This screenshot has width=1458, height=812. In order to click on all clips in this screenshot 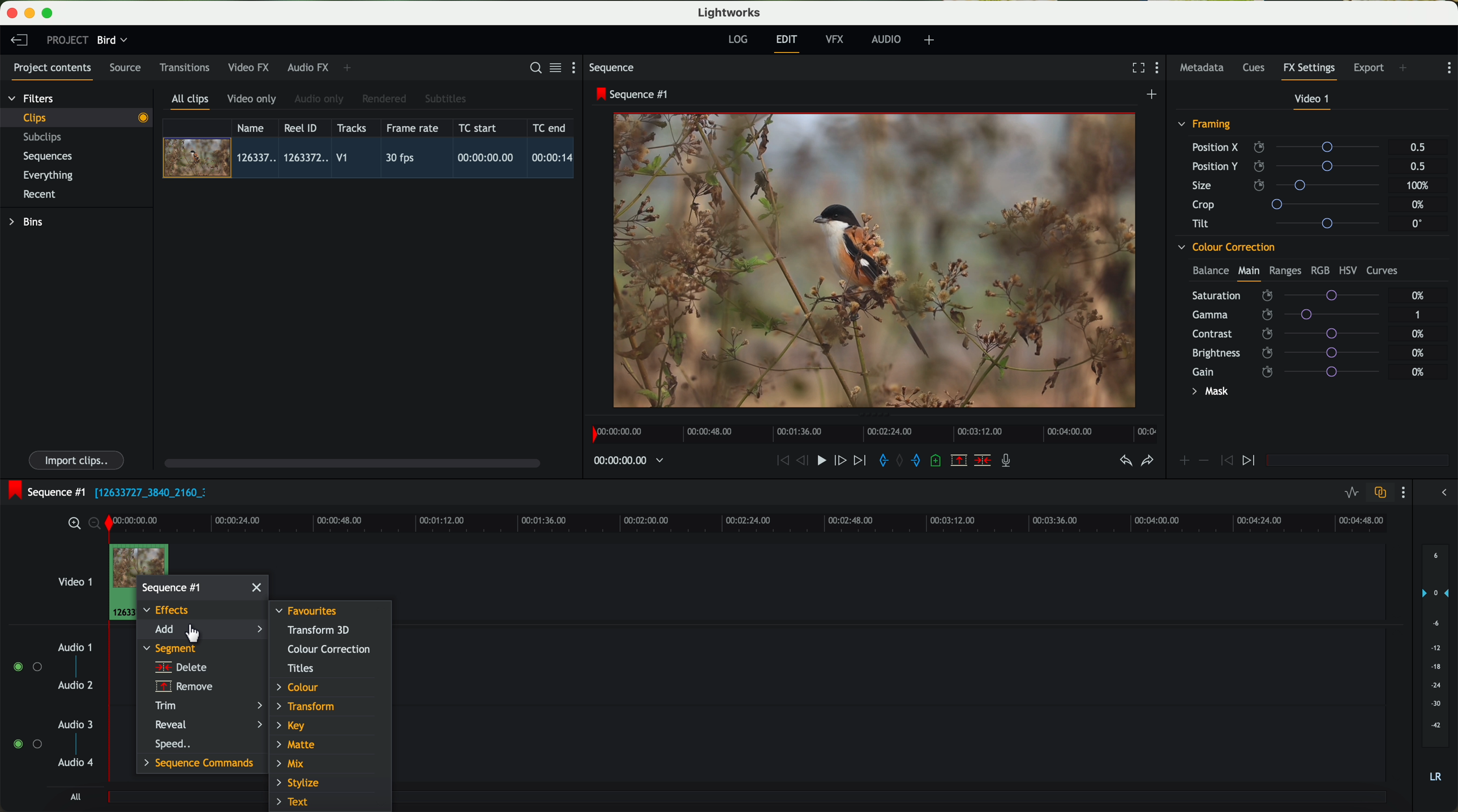, I will do `click(191, 102)`.